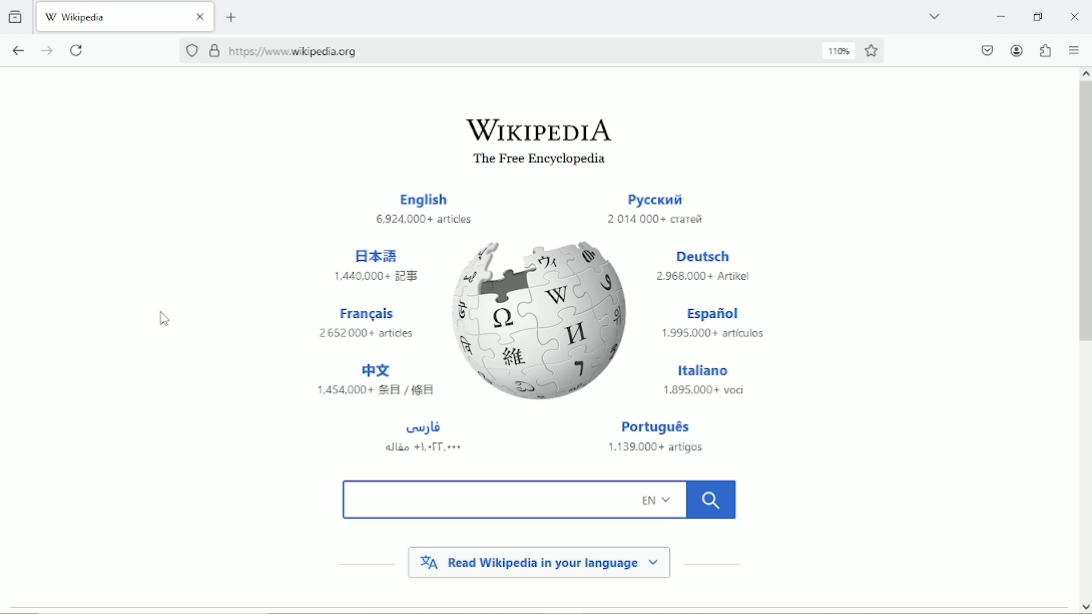 This screenshot has height=614, width=1092. I want to click on New tab, so click(230, 17).